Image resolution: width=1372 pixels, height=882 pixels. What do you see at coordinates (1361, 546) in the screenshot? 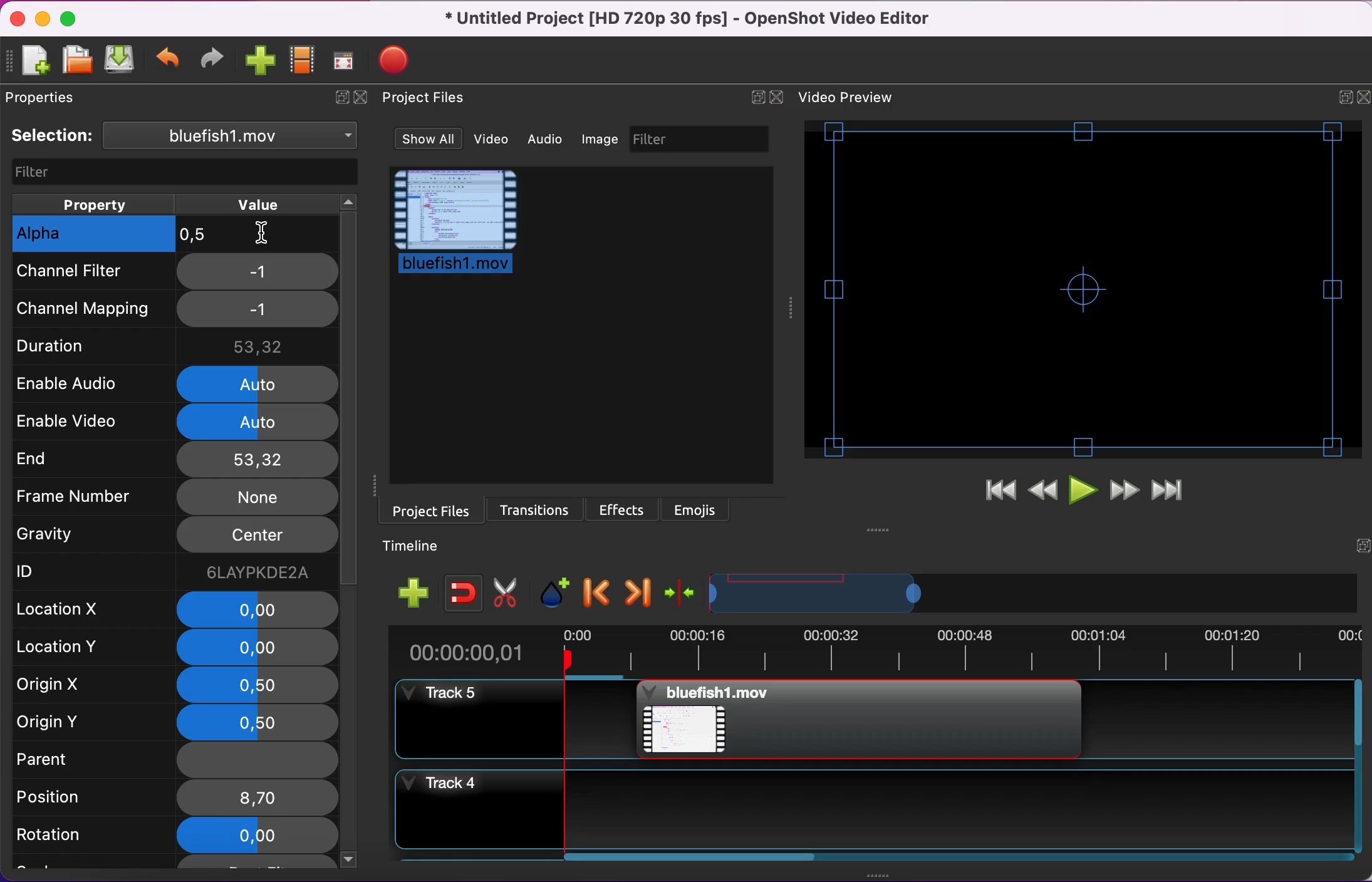
I see `expand/hide` at bounding box center [1361, 546].